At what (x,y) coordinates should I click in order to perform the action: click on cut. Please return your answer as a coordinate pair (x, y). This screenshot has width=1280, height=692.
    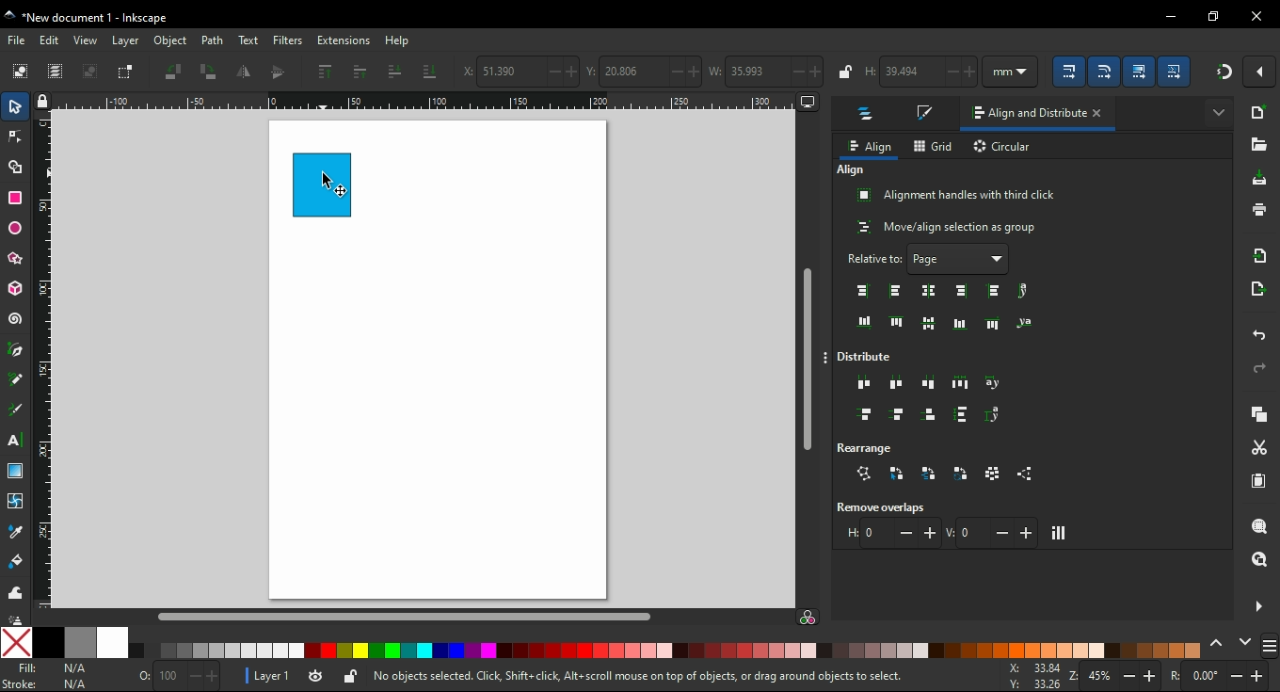
    Looking at the image, I should click on (1260, 448).